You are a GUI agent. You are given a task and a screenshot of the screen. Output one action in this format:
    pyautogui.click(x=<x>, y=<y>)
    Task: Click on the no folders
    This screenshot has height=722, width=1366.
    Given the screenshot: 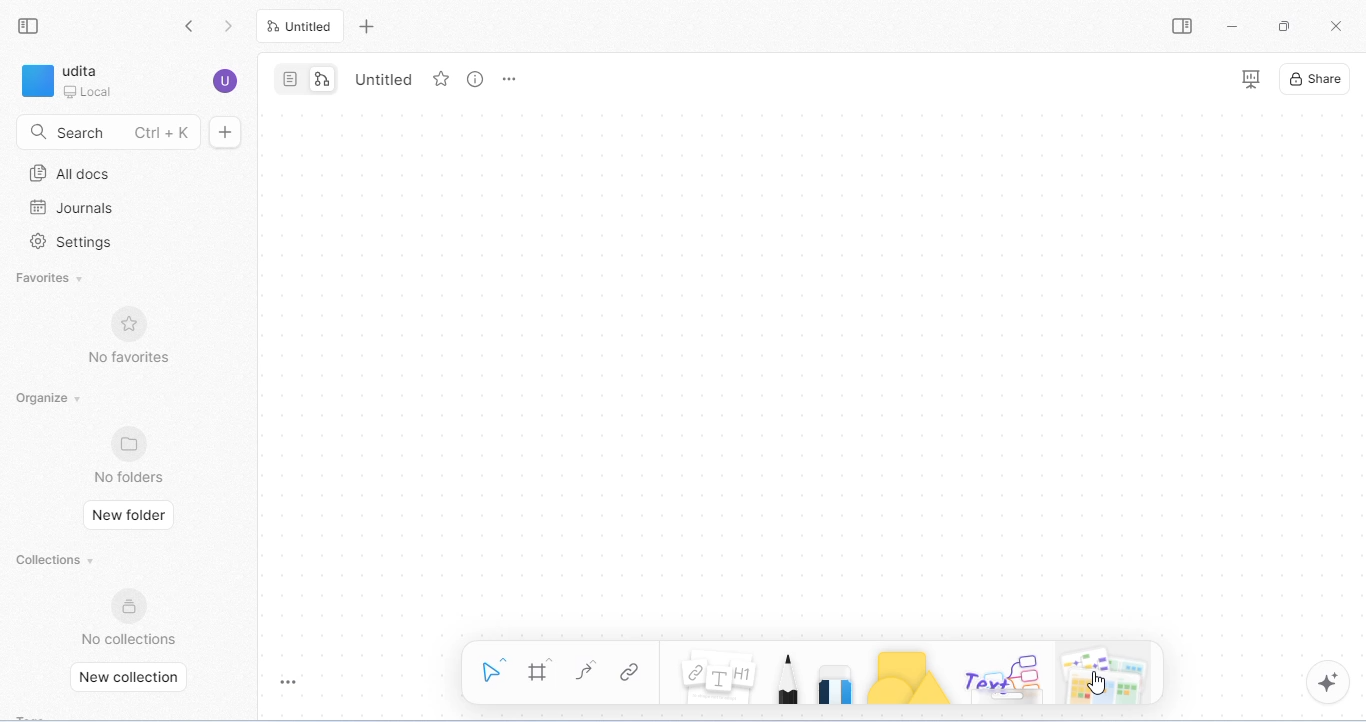 What is the action you would take?
    pyautogui.click(x=131, y=455)
    